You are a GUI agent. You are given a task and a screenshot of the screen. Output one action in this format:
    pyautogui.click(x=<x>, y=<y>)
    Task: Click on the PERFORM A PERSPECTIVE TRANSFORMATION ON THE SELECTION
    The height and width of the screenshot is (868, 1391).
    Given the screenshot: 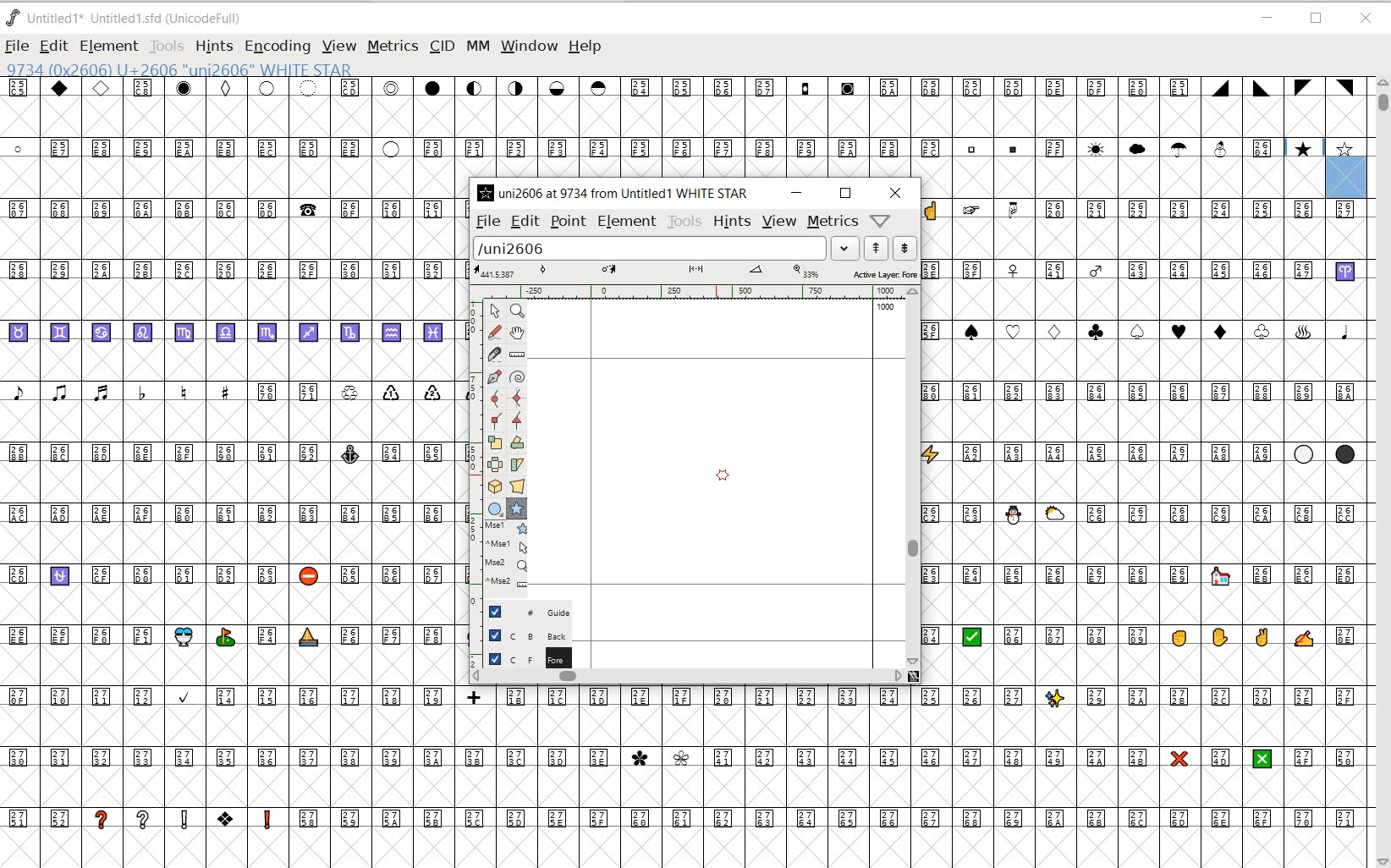 What is the action you would take?
    pyautogui.click(x=518, y=486)
    